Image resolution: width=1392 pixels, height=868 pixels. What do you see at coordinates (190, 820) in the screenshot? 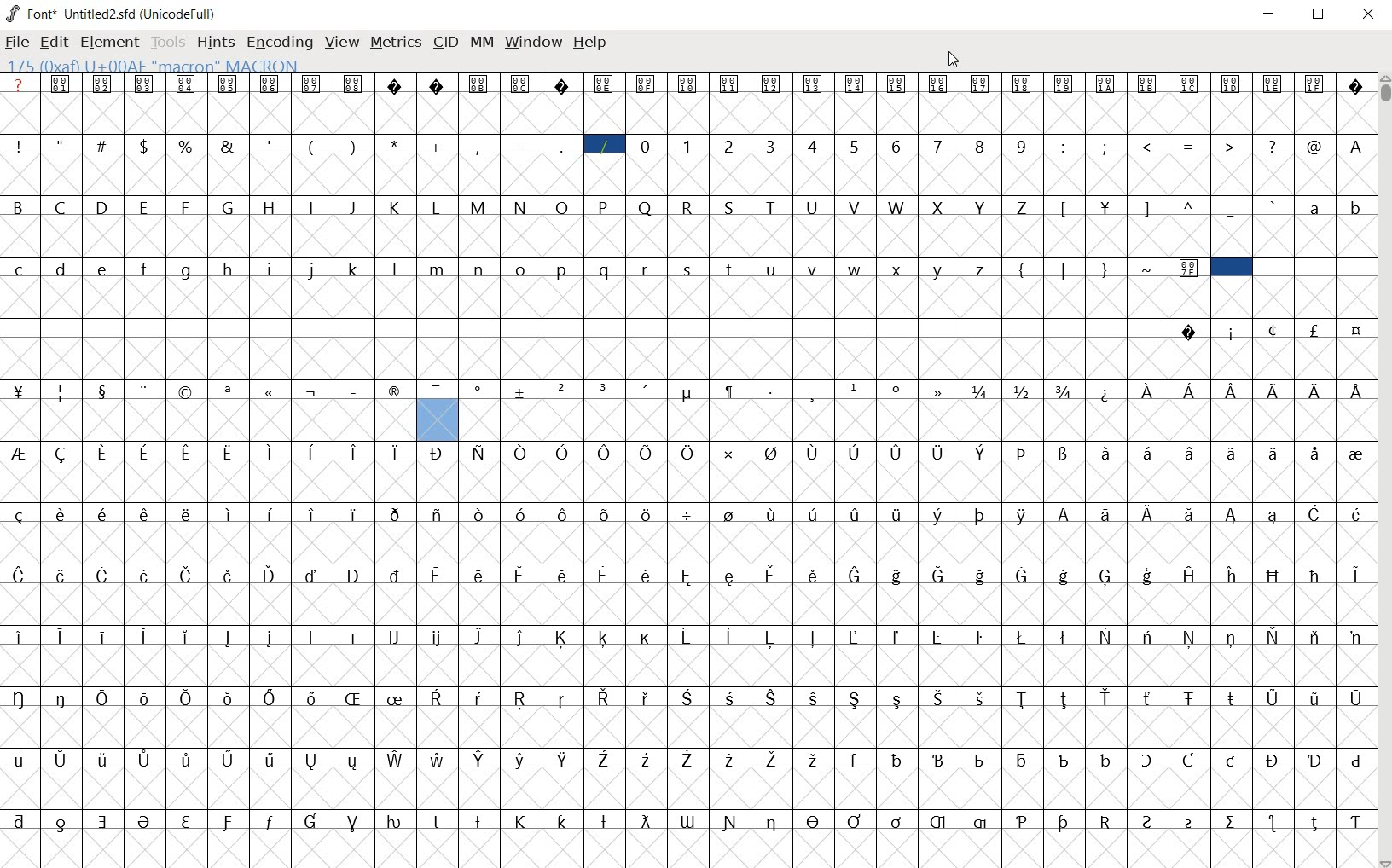
I see `Symbol` at bounding box center [190, 820].